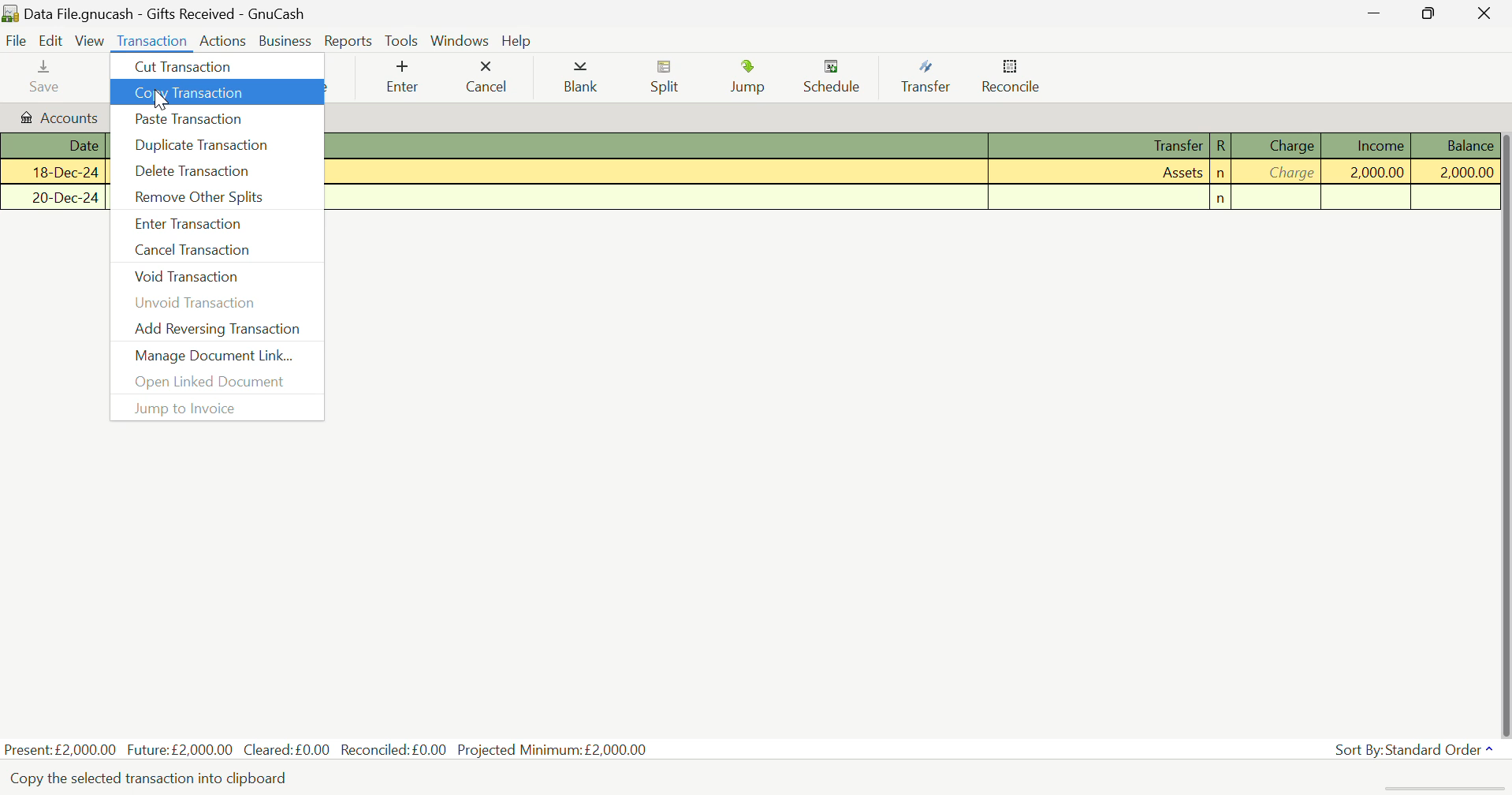 This screenshot has width=1512, height=795. What do you see at coordinates (91, 39) in the screenshot?
I see `View` at bounding box center [91, 39].